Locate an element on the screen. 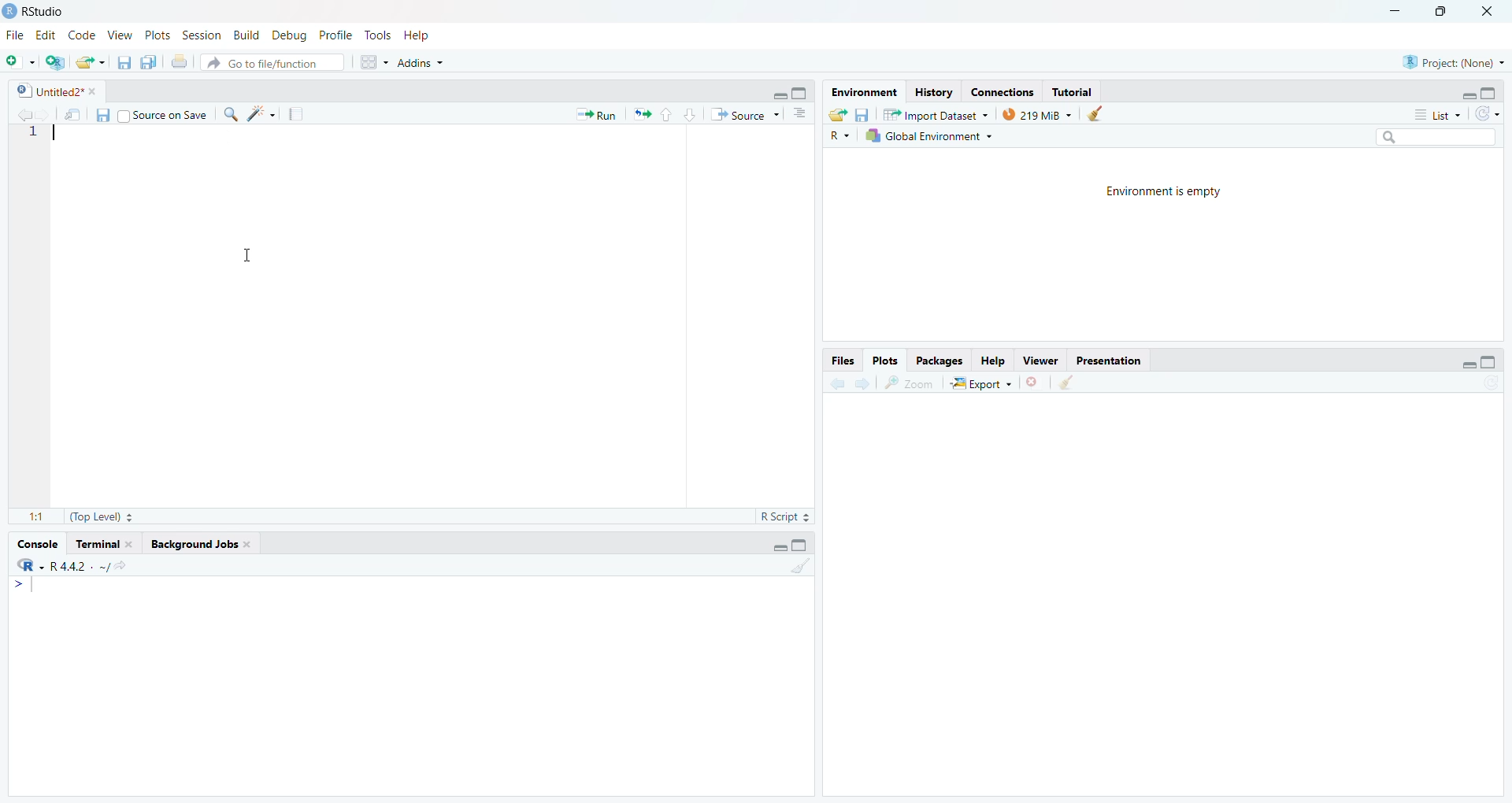  Environment is empty is located at coordinates (1165, 192).